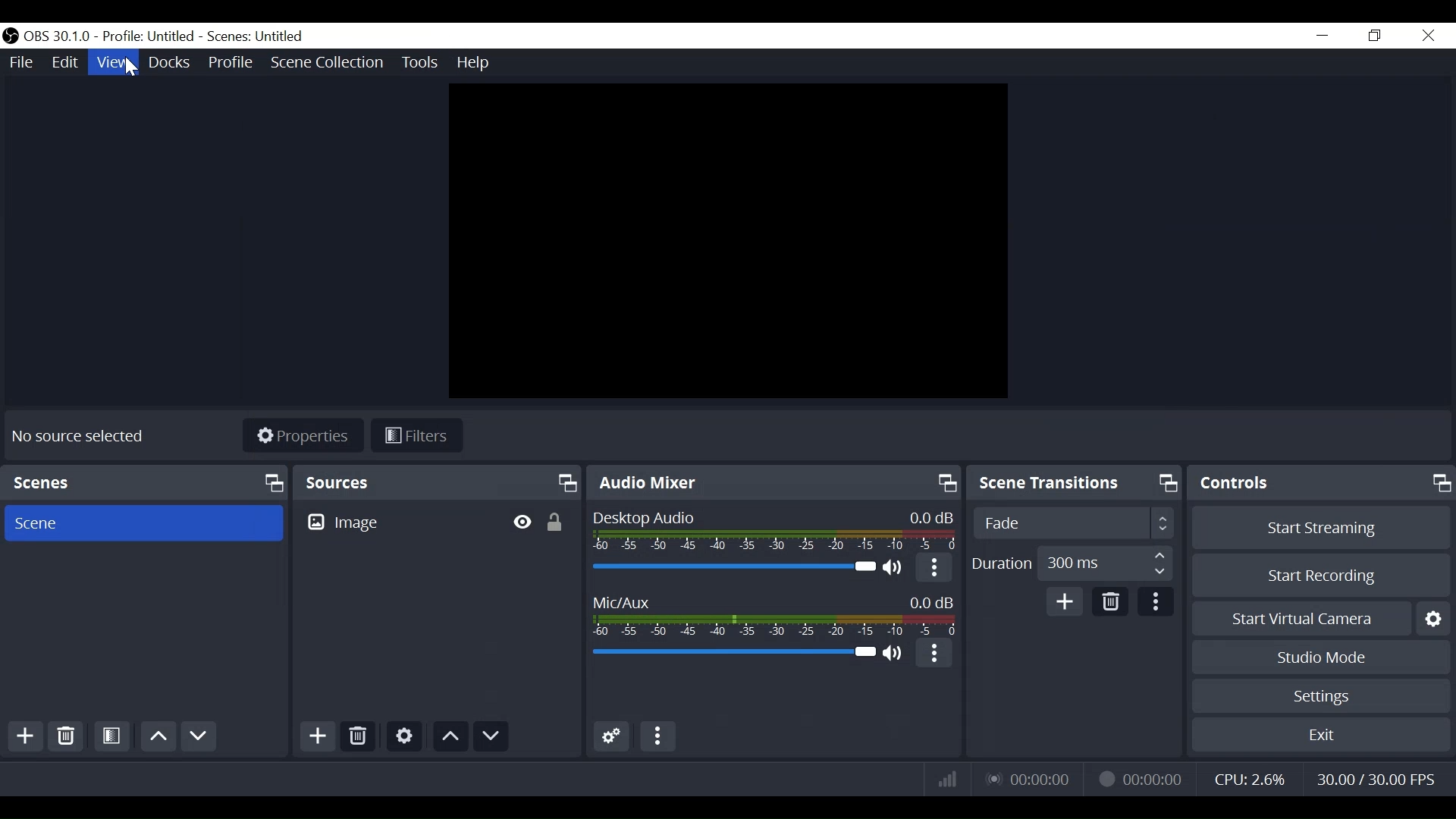 Image resolution: width=1456 pixels, height=819 pixels. What do you see at coordinates (894, 569) in the screenshot?
I see `(un)mute` at bounding box center [894, 569].